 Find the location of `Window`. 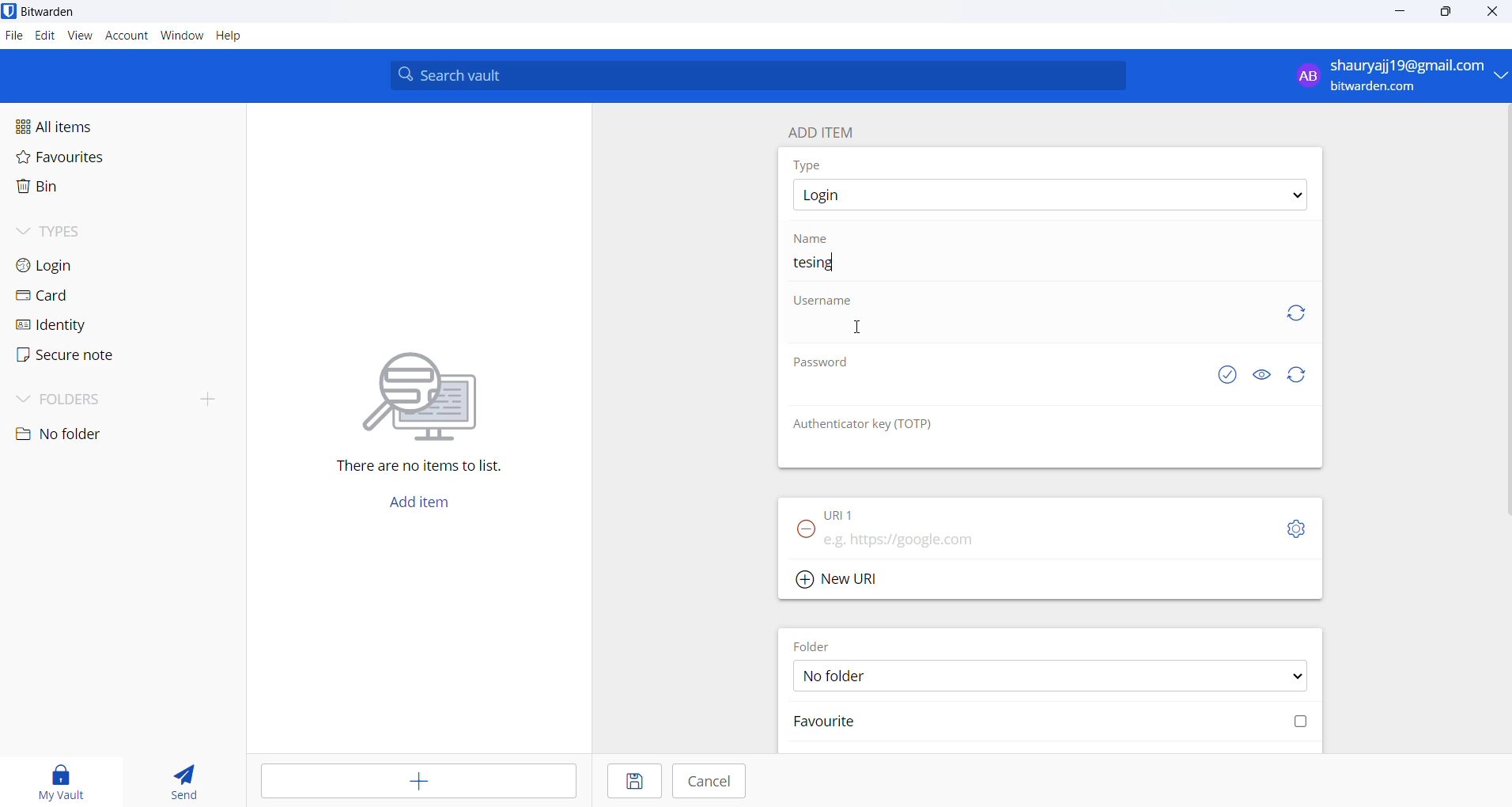

Window is located at coordinates (182, 39).